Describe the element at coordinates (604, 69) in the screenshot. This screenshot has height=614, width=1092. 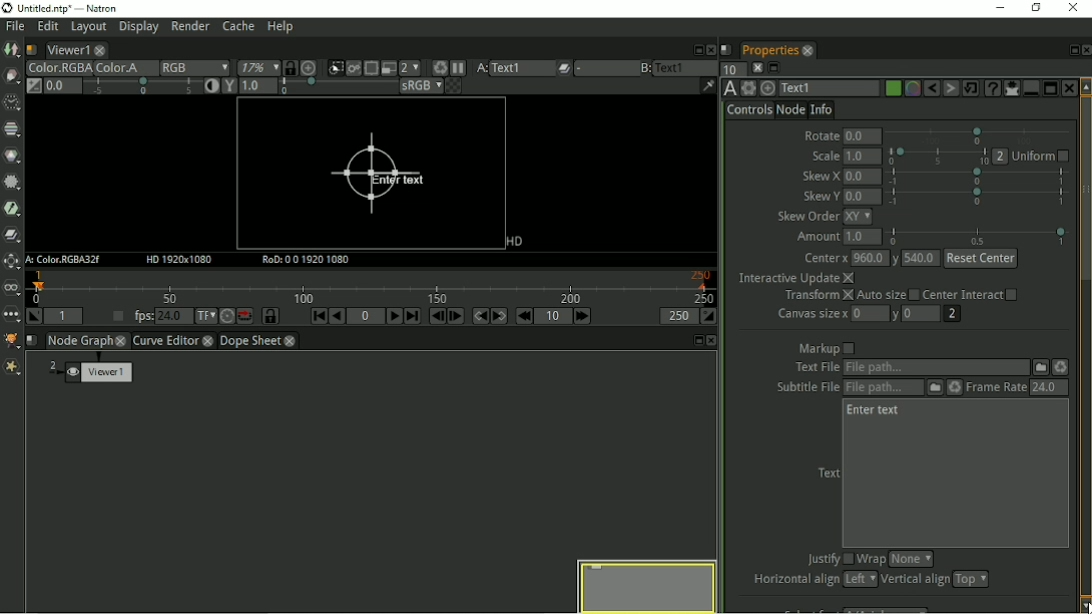
I see `menu` at that location.